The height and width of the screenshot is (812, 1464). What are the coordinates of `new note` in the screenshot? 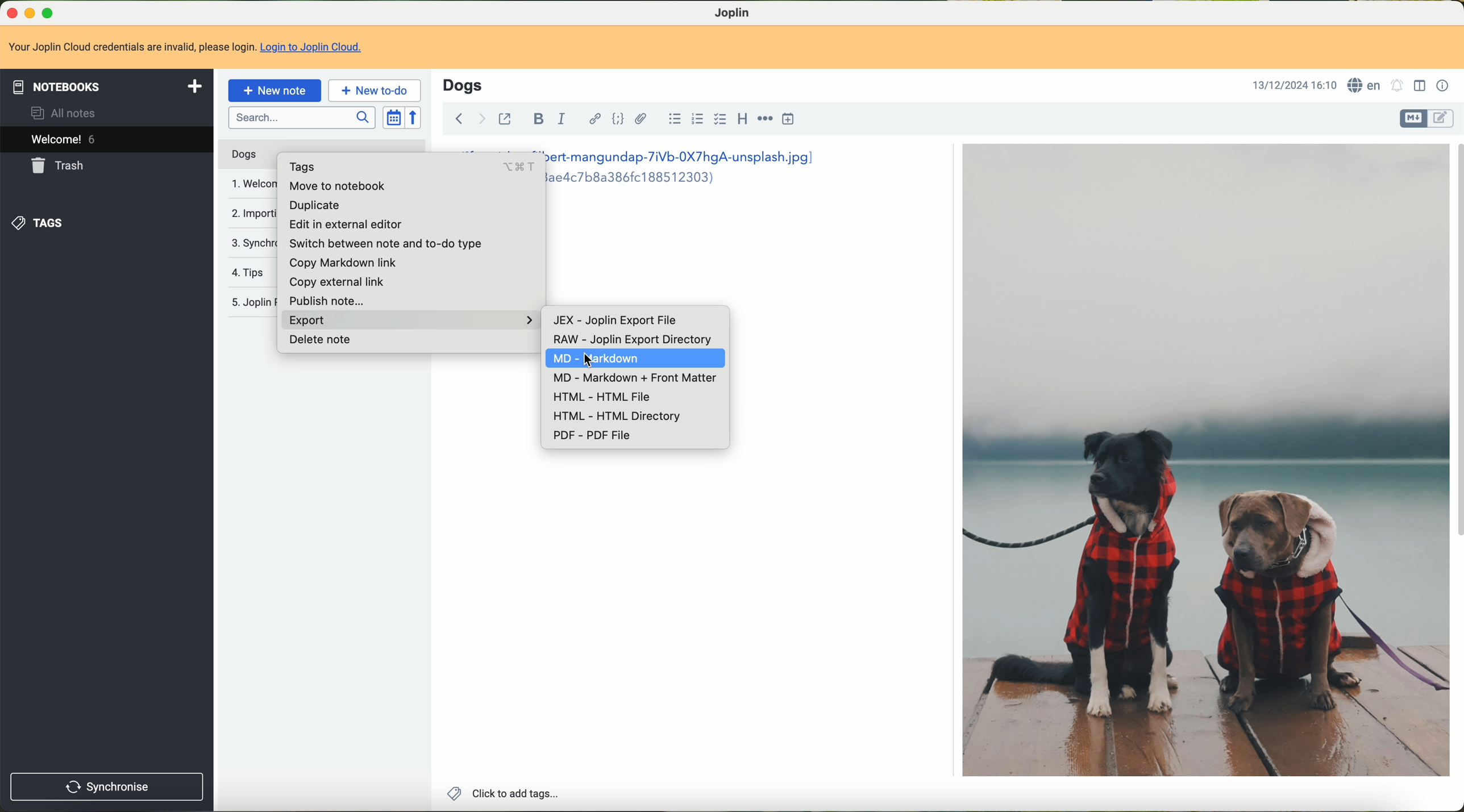 It's located at (275, 89).